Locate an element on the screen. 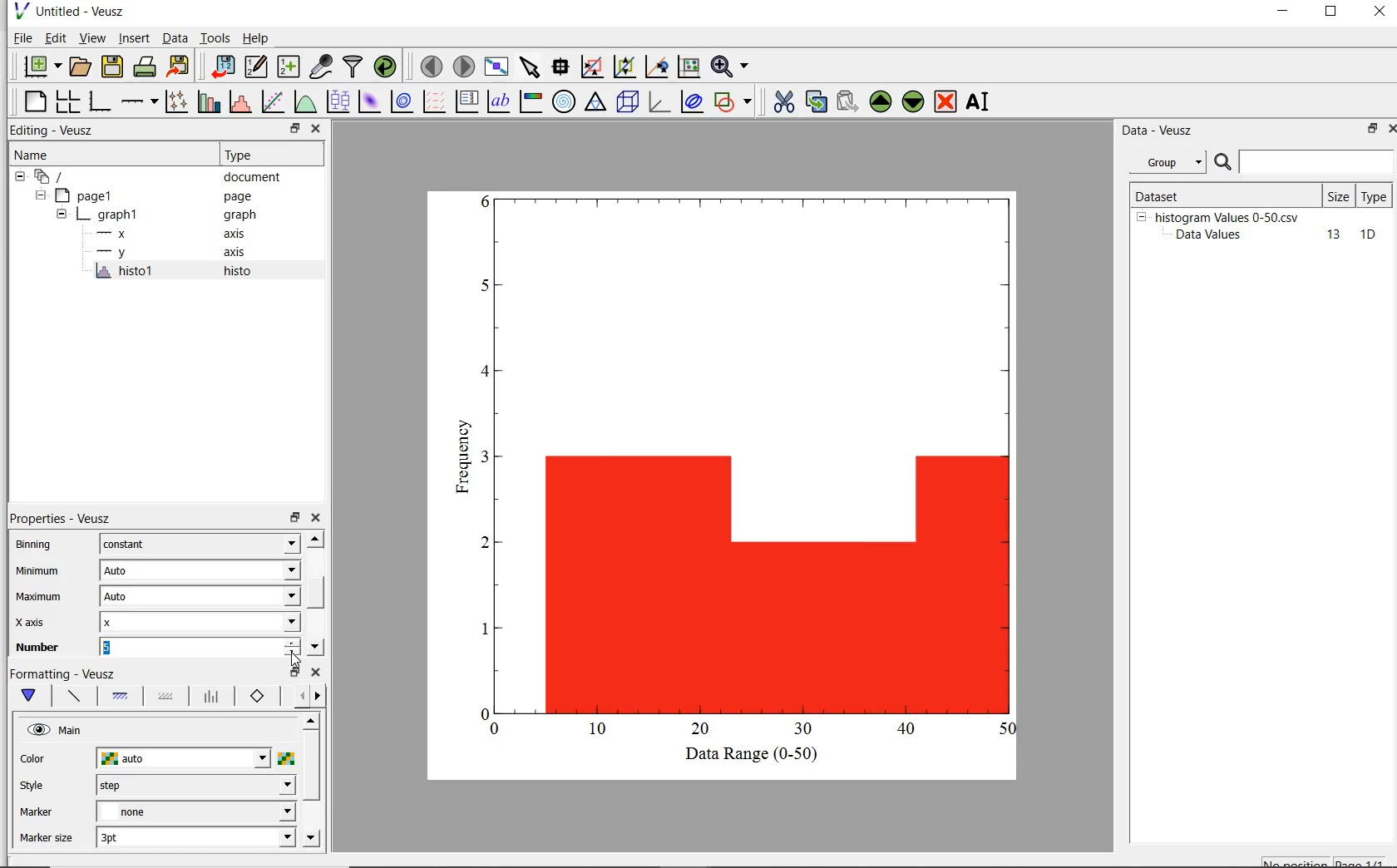  blank page is located at coordinates (36, 101).